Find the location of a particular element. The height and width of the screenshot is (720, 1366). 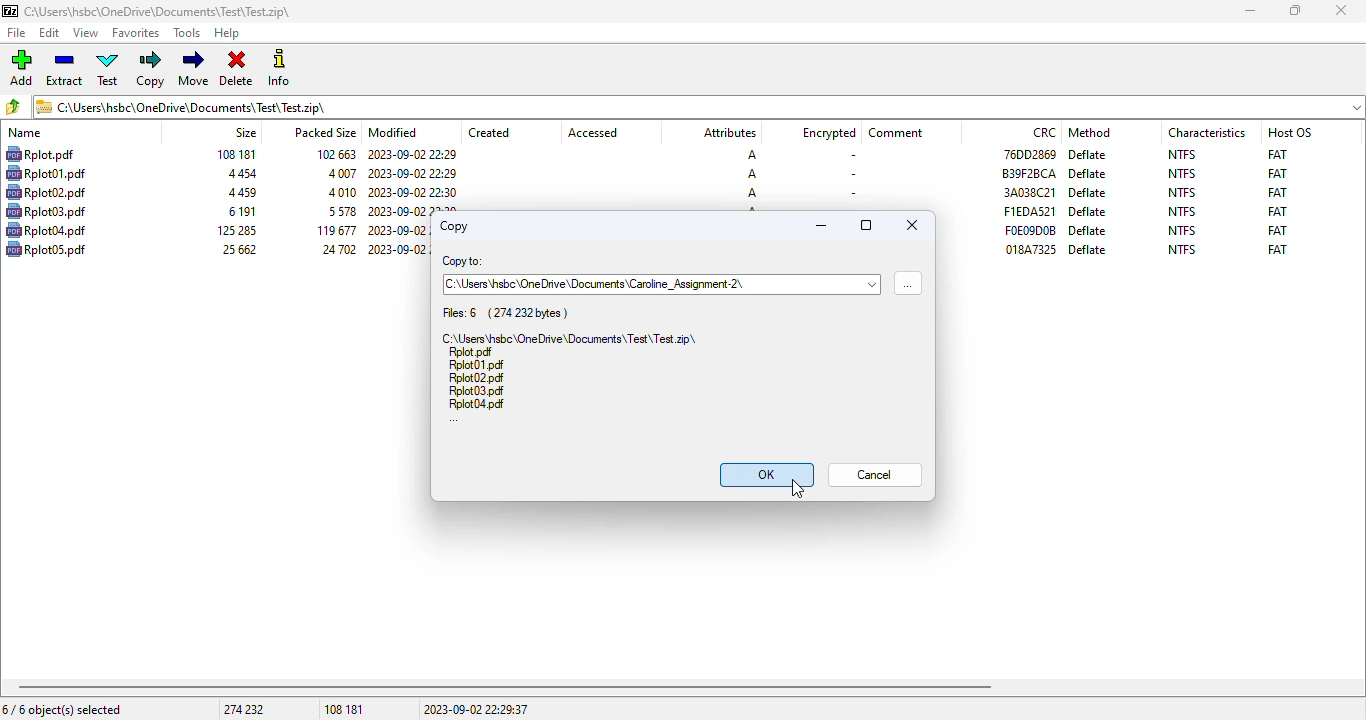

name is located at coordinates (25, 133).